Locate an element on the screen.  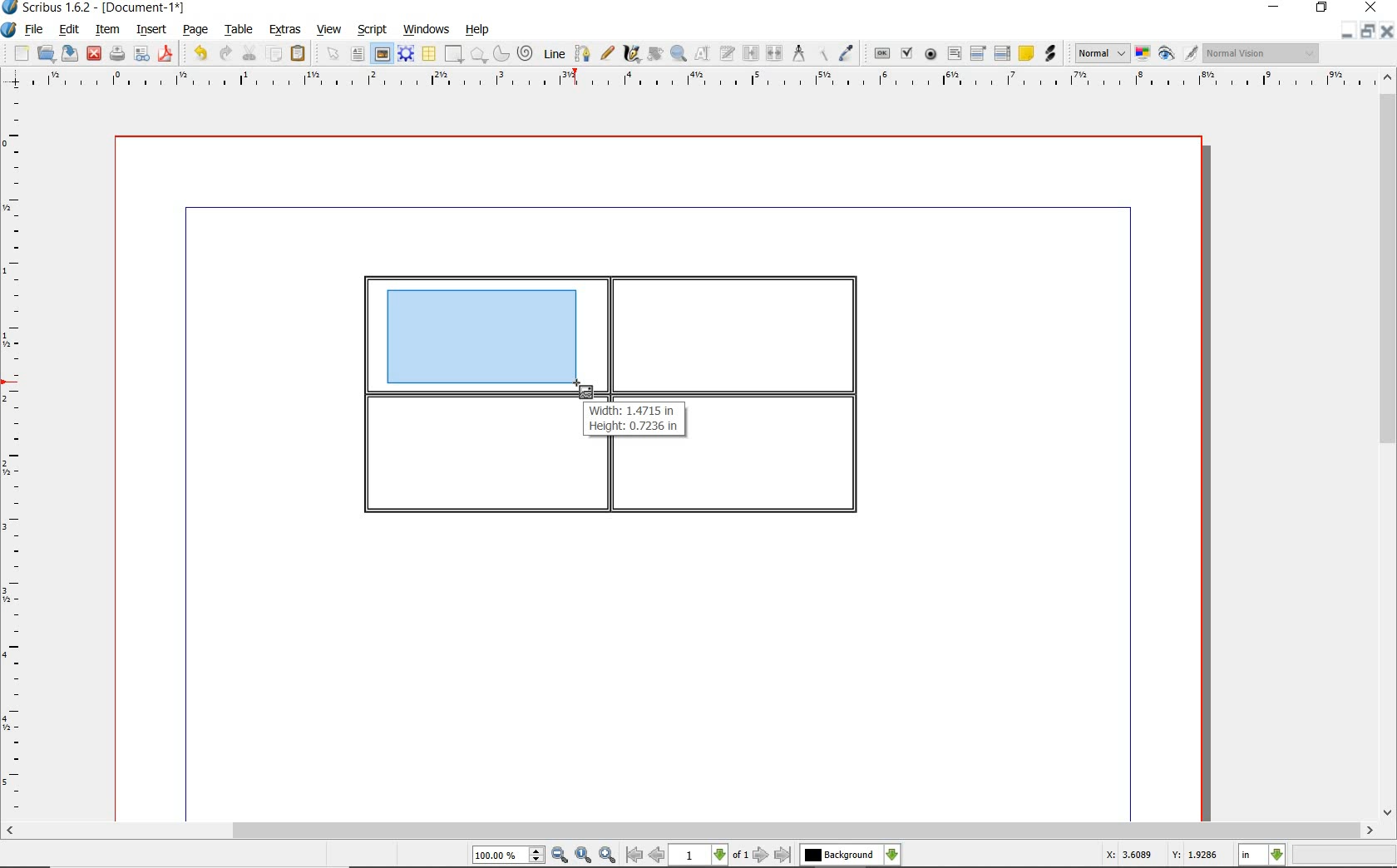
new is located at coordinates (22, 55).